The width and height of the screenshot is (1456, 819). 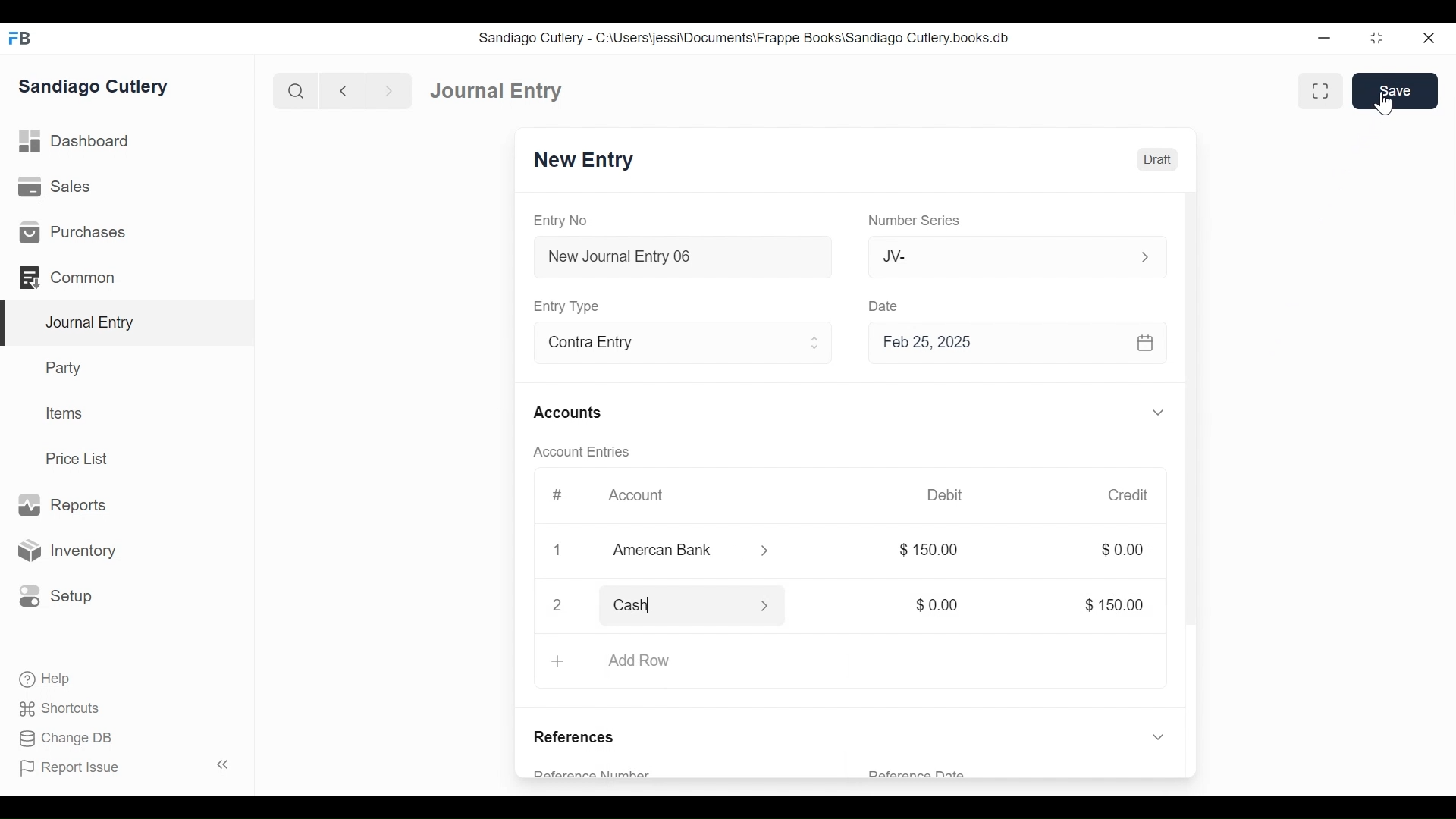 What do you see at coordinates (945, 495) in the screenshot?
I see `Debit` at bounding box center [945, 495].